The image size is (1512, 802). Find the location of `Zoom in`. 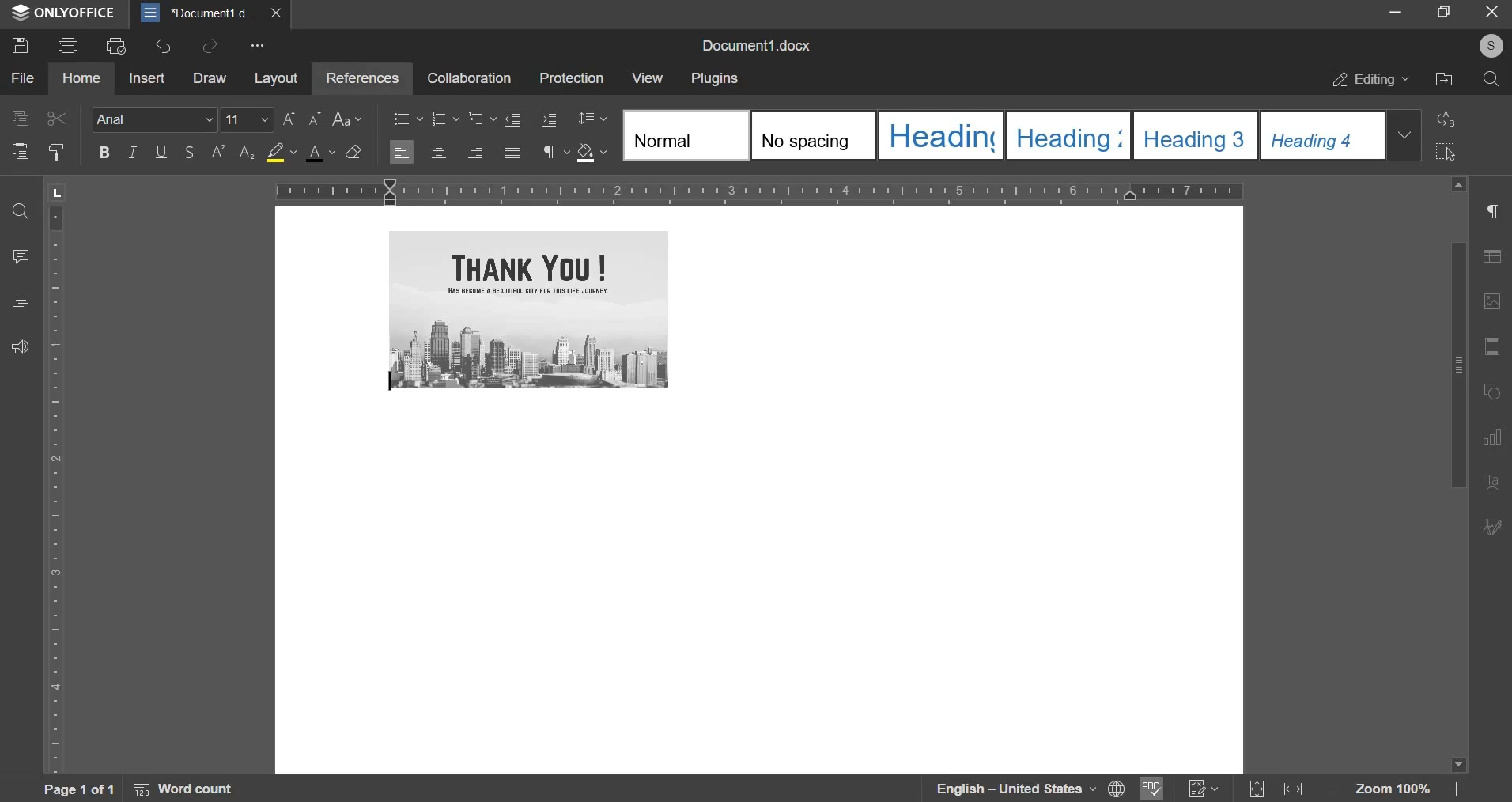

Zoom in is located at coordinates (1456, 789).